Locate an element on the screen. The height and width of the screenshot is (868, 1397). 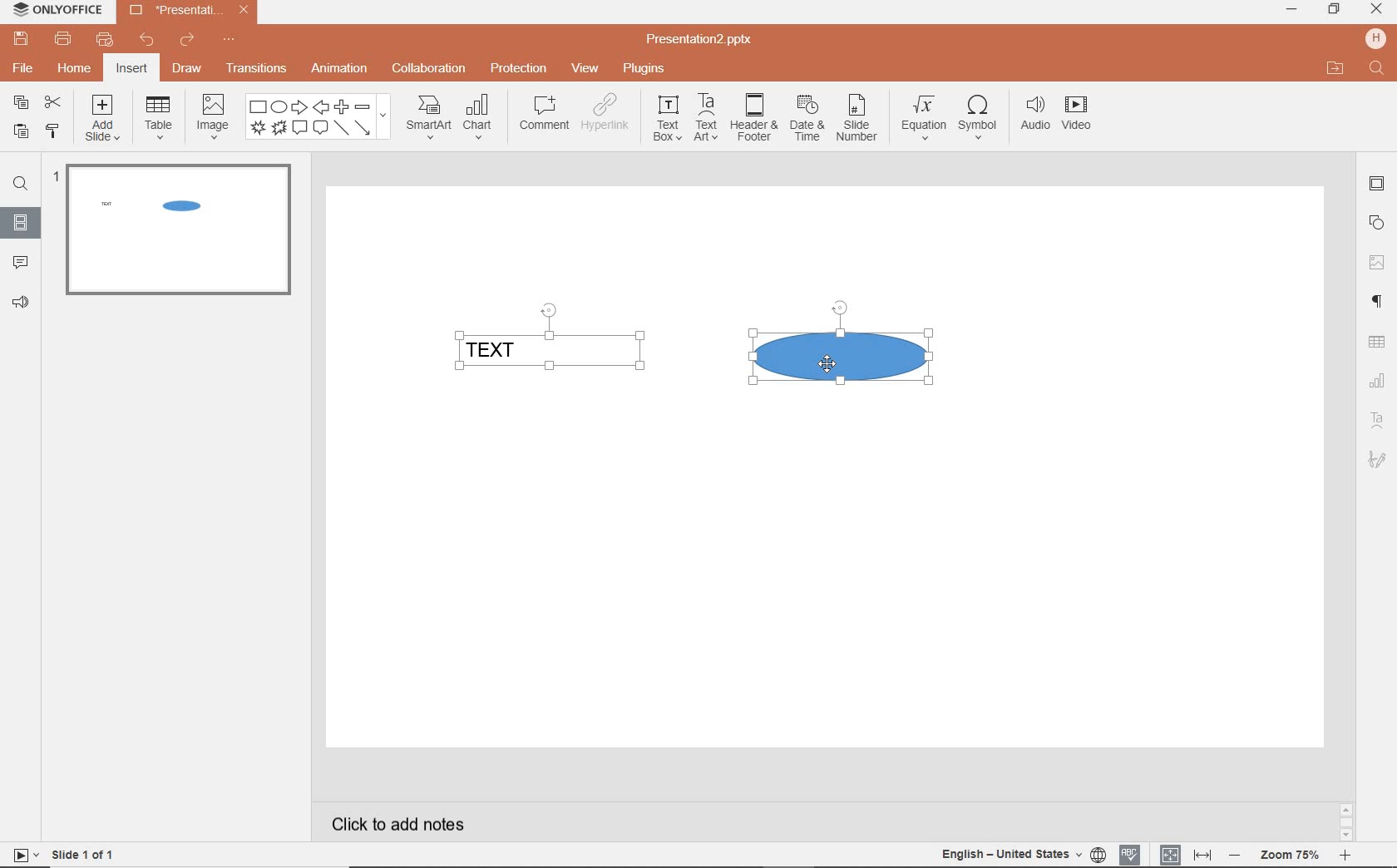
view is located at coordinates (582, 69).